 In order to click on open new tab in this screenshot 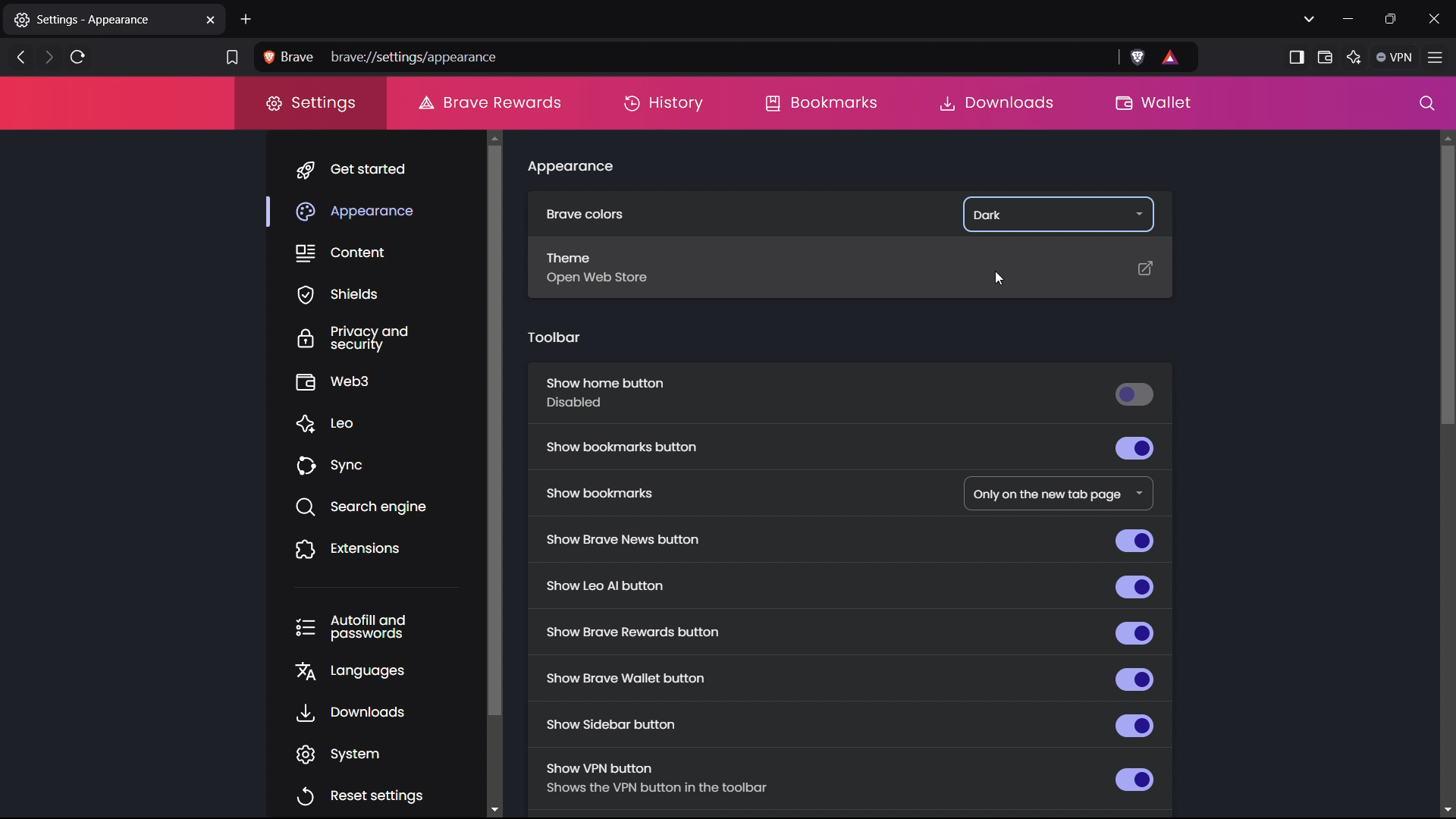, I will do `click(246, 20)`.